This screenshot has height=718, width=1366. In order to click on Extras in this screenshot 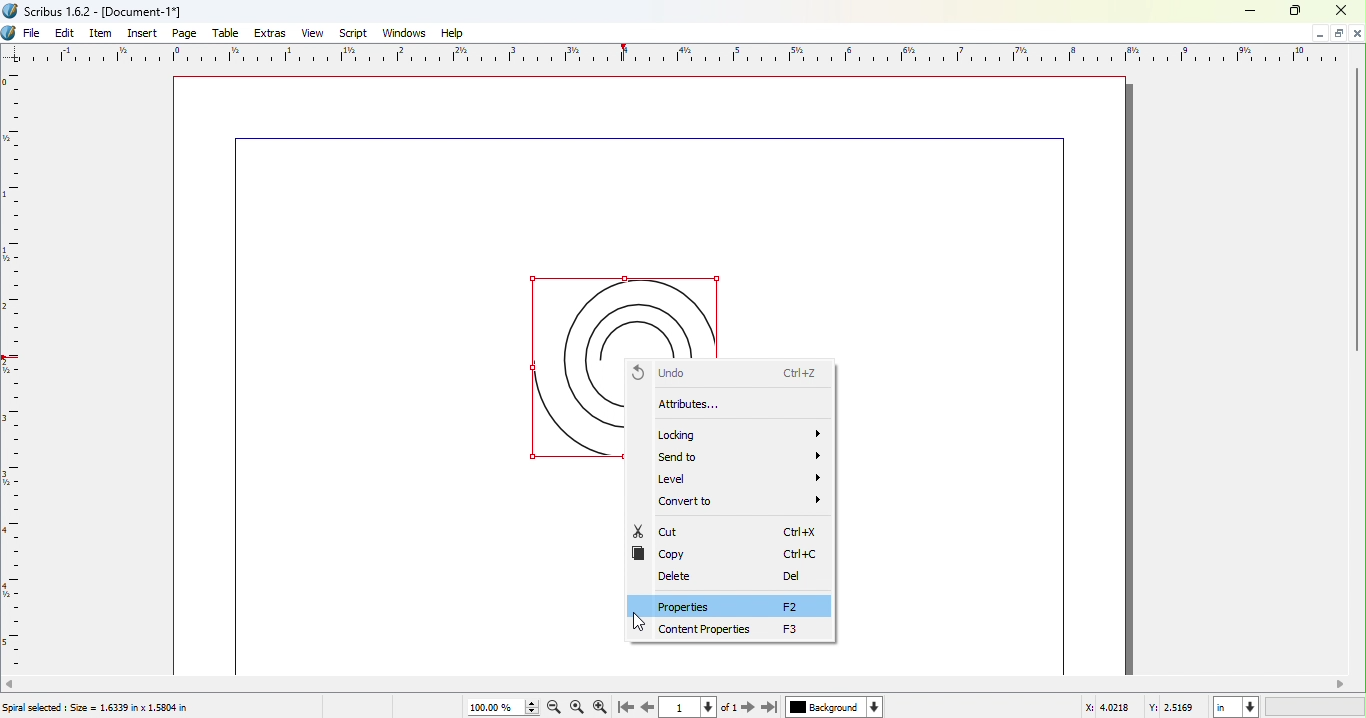, I will do `click(273, 34)`.